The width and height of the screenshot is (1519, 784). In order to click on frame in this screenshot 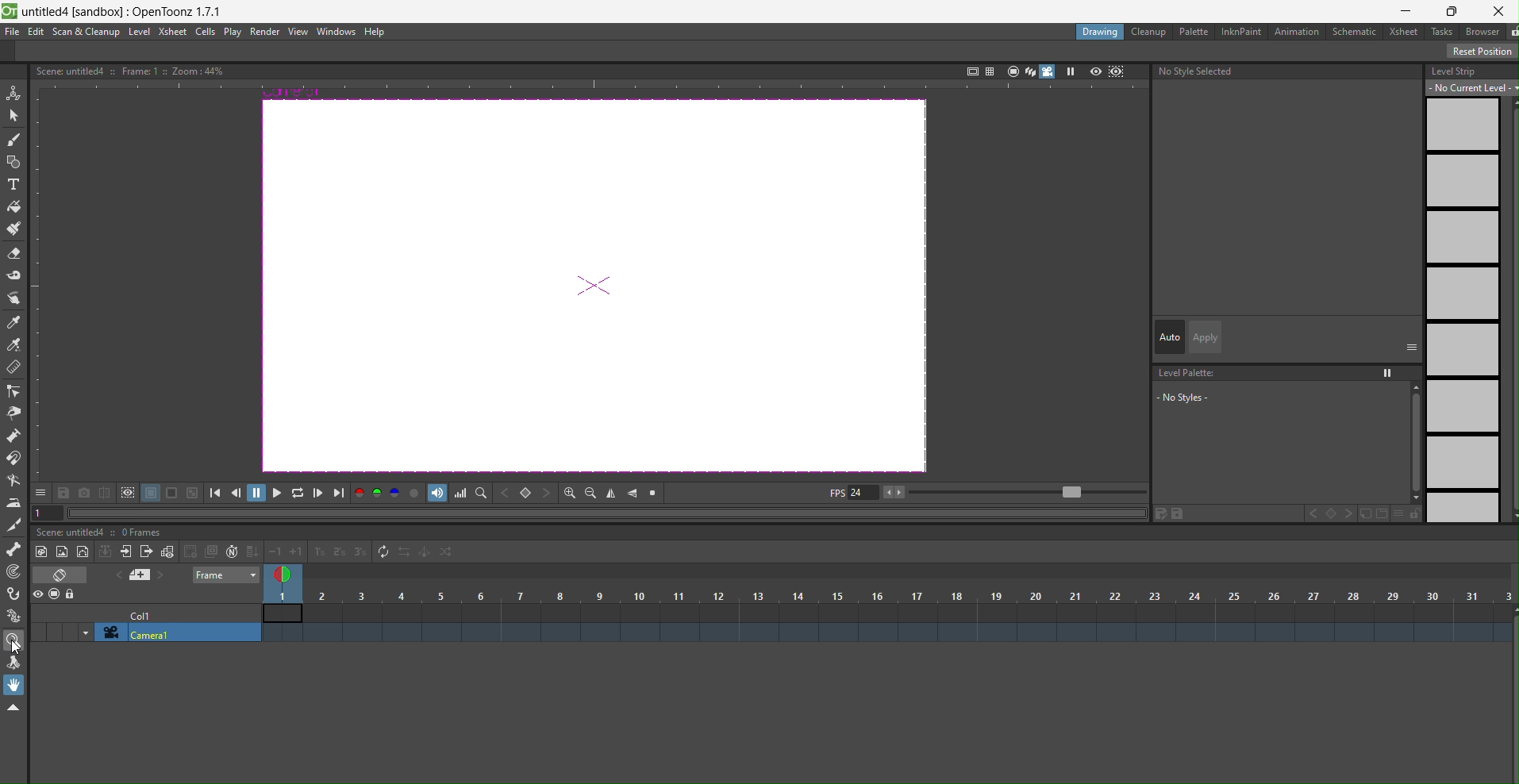, I will do `click(223, 575)`.